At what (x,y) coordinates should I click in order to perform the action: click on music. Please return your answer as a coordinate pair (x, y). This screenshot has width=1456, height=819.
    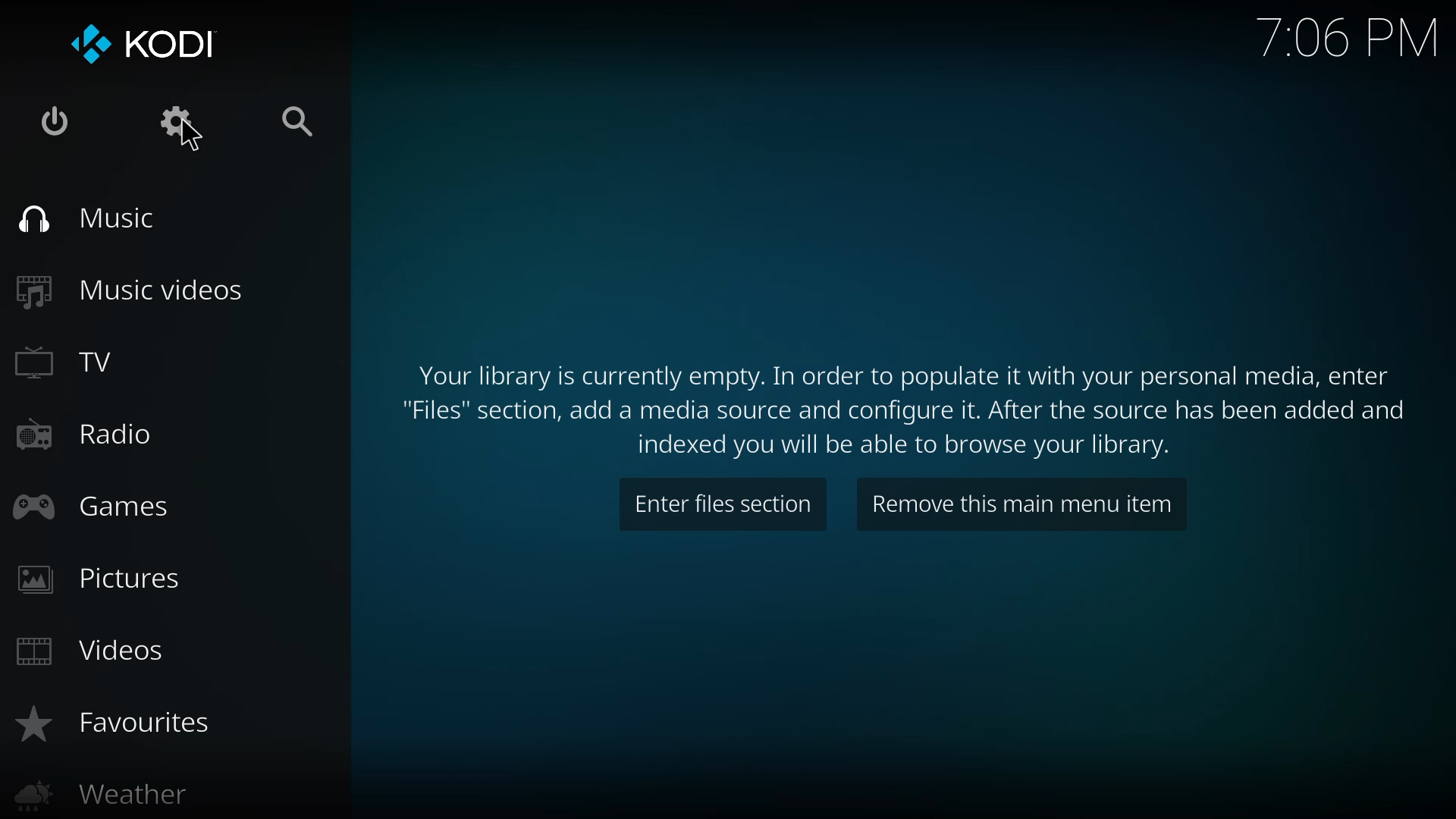
    Looking at the image, I should click on (87, 218).